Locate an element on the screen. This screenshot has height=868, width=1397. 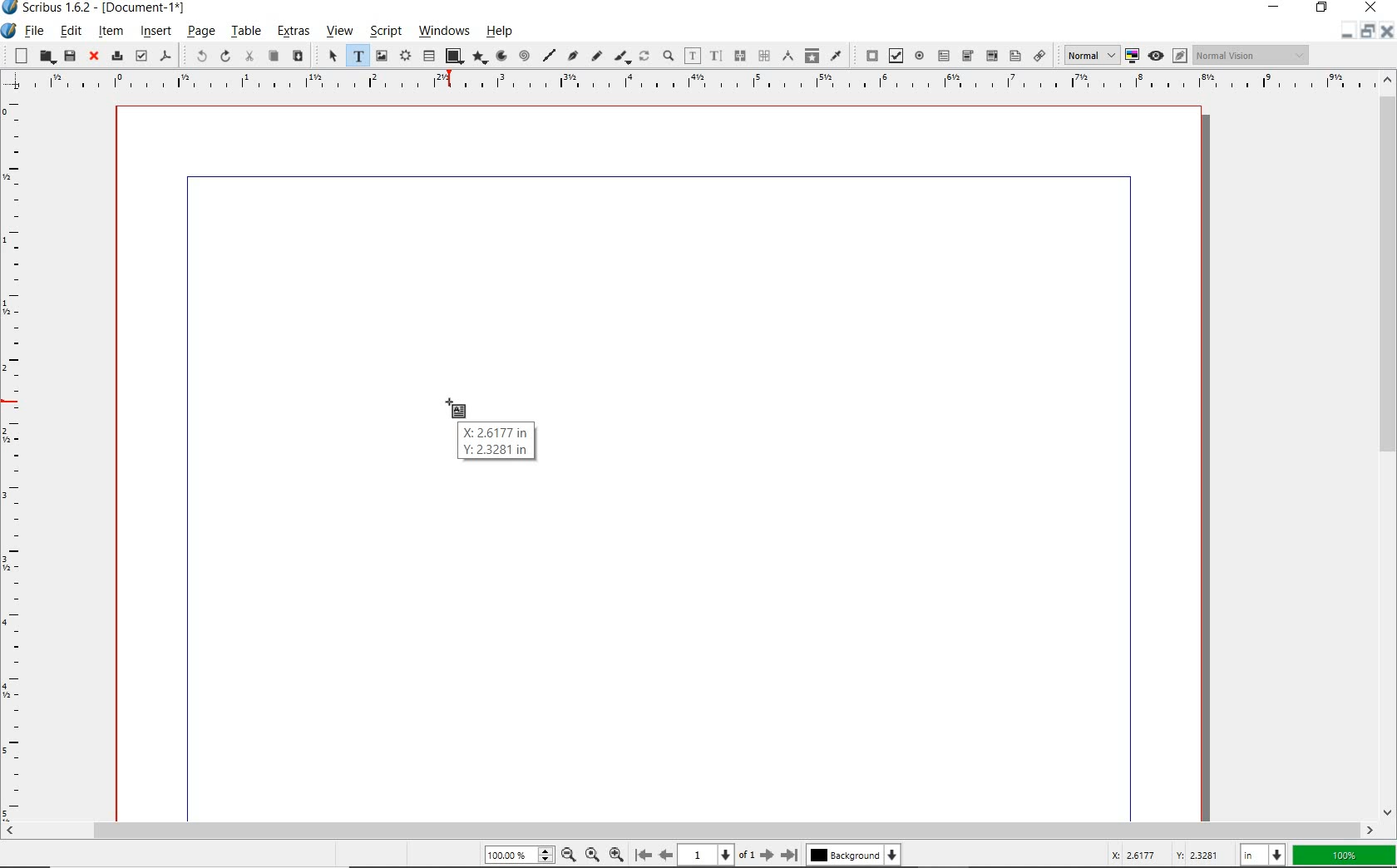
pdf radio button is located at coordinates (920, 56).